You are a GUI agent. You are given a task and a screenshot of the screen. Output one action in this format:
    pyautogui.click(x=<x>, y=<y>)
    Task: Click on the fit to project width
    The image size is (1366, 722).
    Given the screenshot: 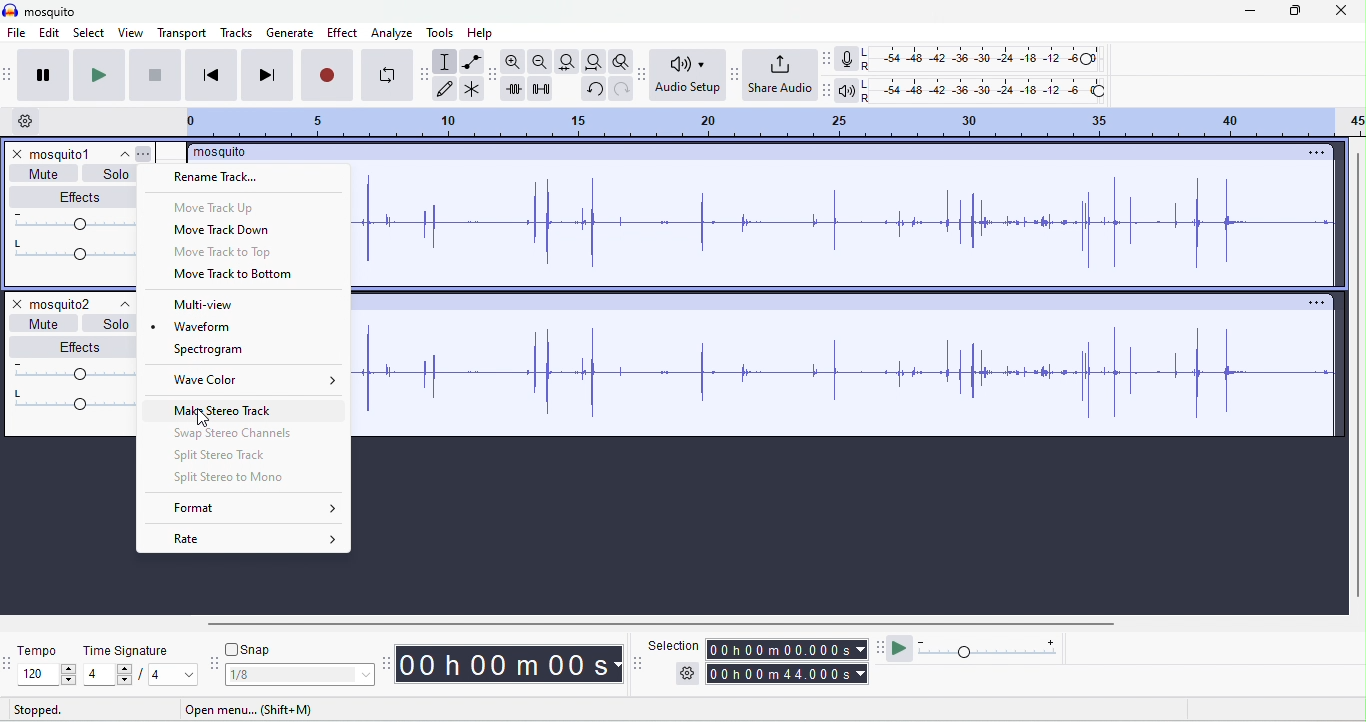 What is the action you would take?
    pyautogui.click(x=593, y=62)
    